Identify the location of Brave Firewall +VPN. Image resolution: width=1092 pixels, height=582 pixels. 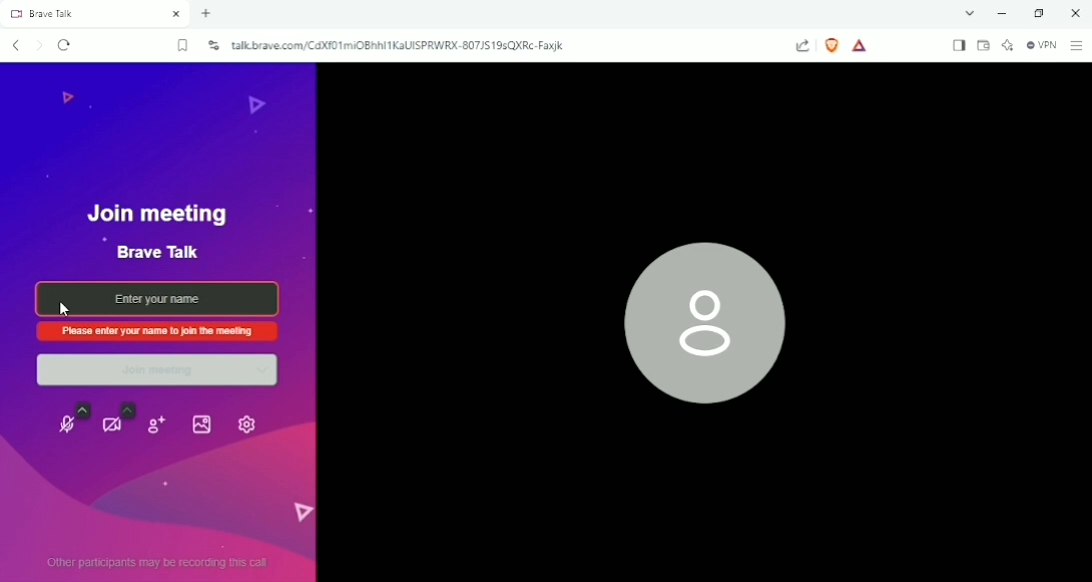
(1042, 45).